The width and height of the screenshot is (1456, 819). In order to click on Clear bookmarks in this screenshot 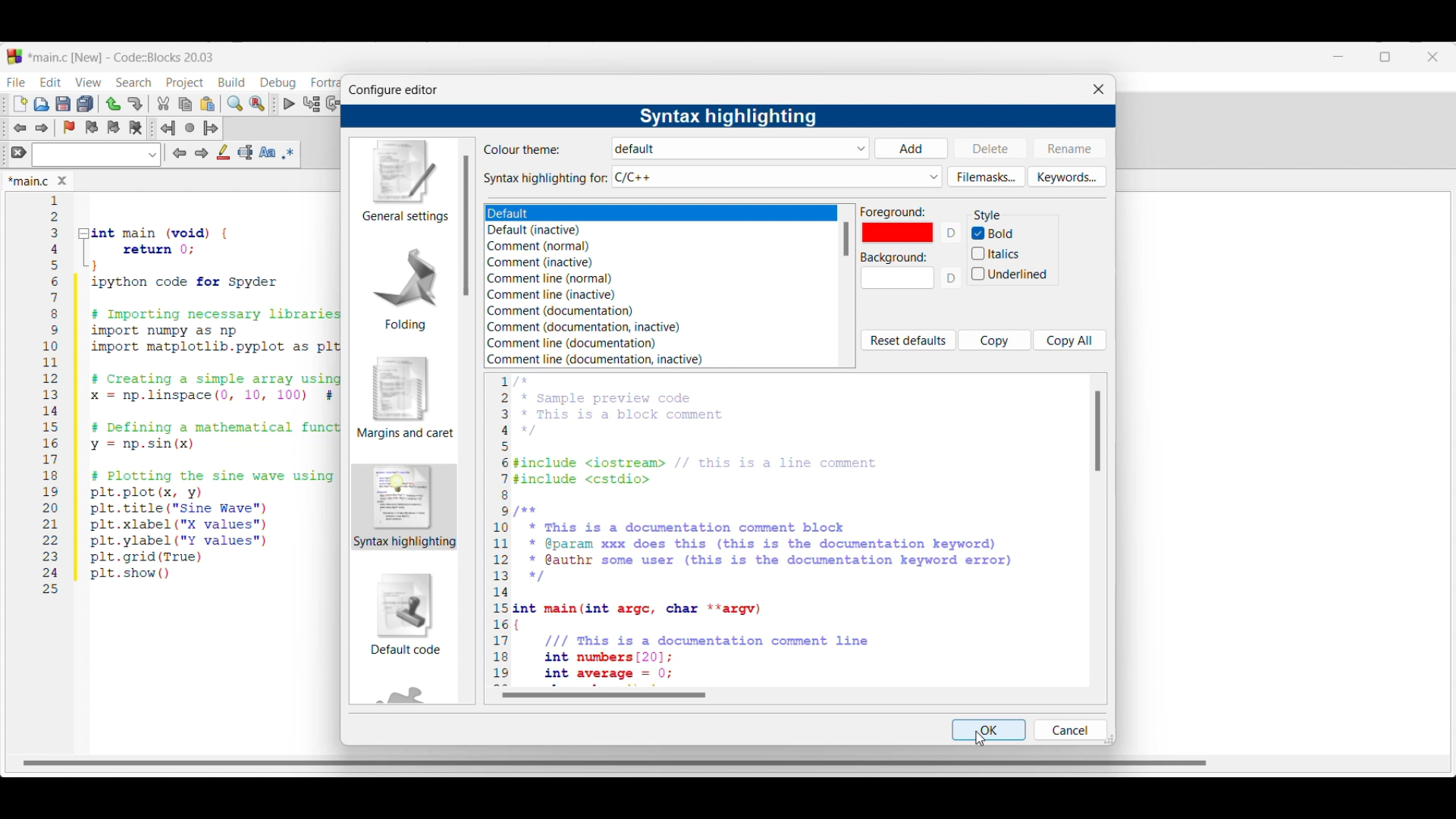, I will do `click(135, 128)`.